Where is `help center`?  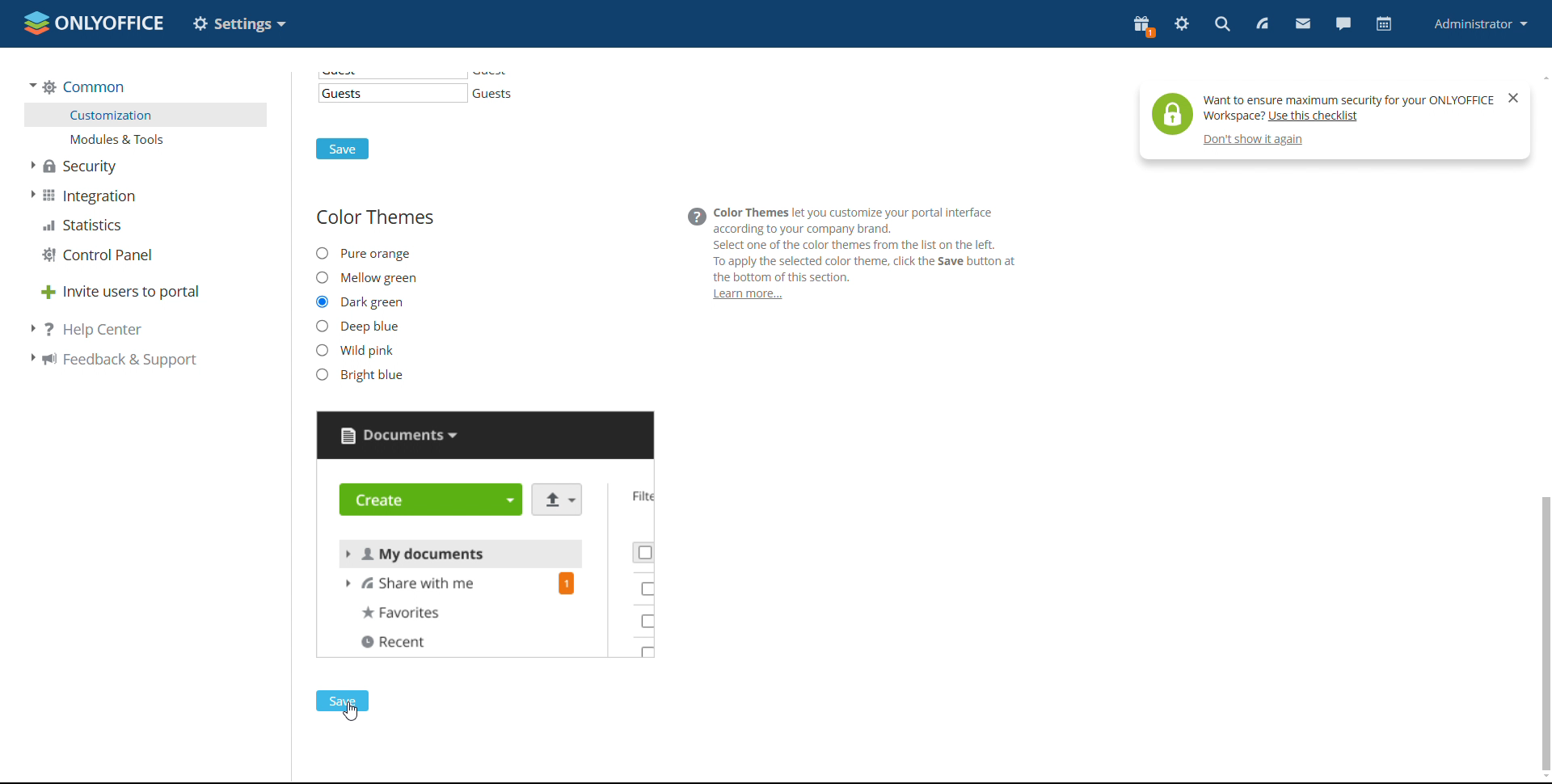 help center is located at coordinates (86, 329).